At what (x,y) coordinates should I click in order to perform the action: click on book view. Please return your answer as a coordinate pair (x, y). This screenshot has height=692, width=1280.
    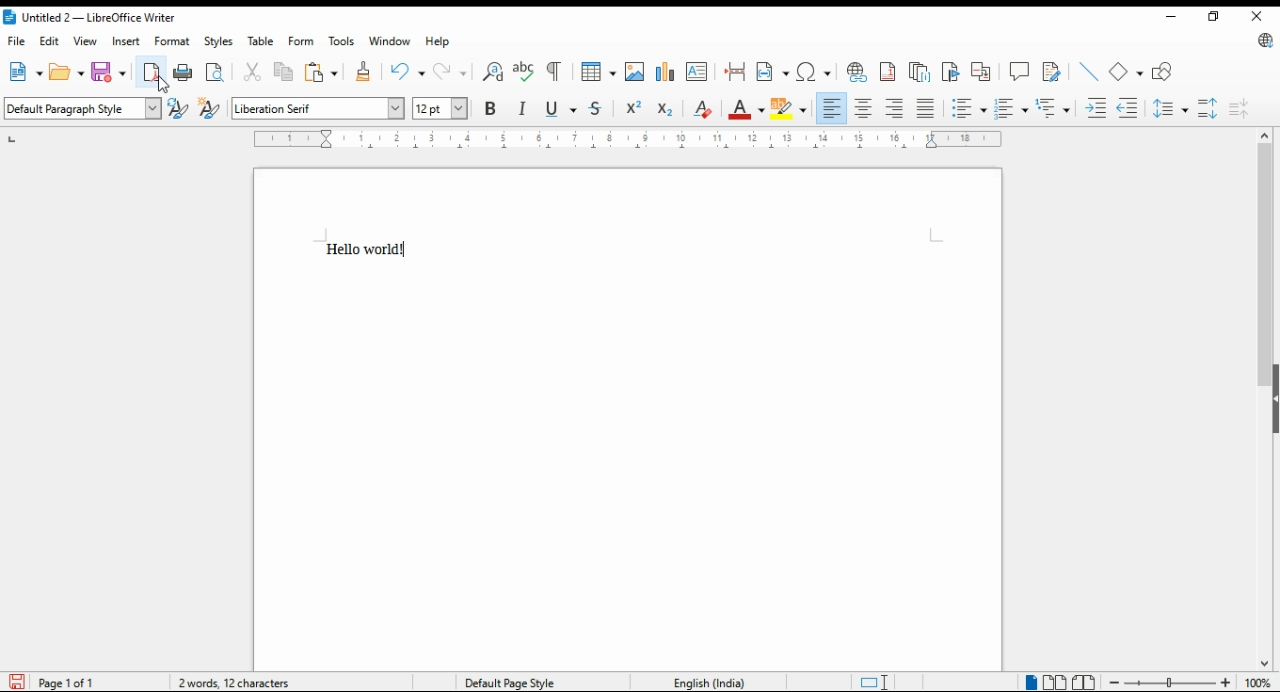
    Looking at the image, I should click on (1082, 683).